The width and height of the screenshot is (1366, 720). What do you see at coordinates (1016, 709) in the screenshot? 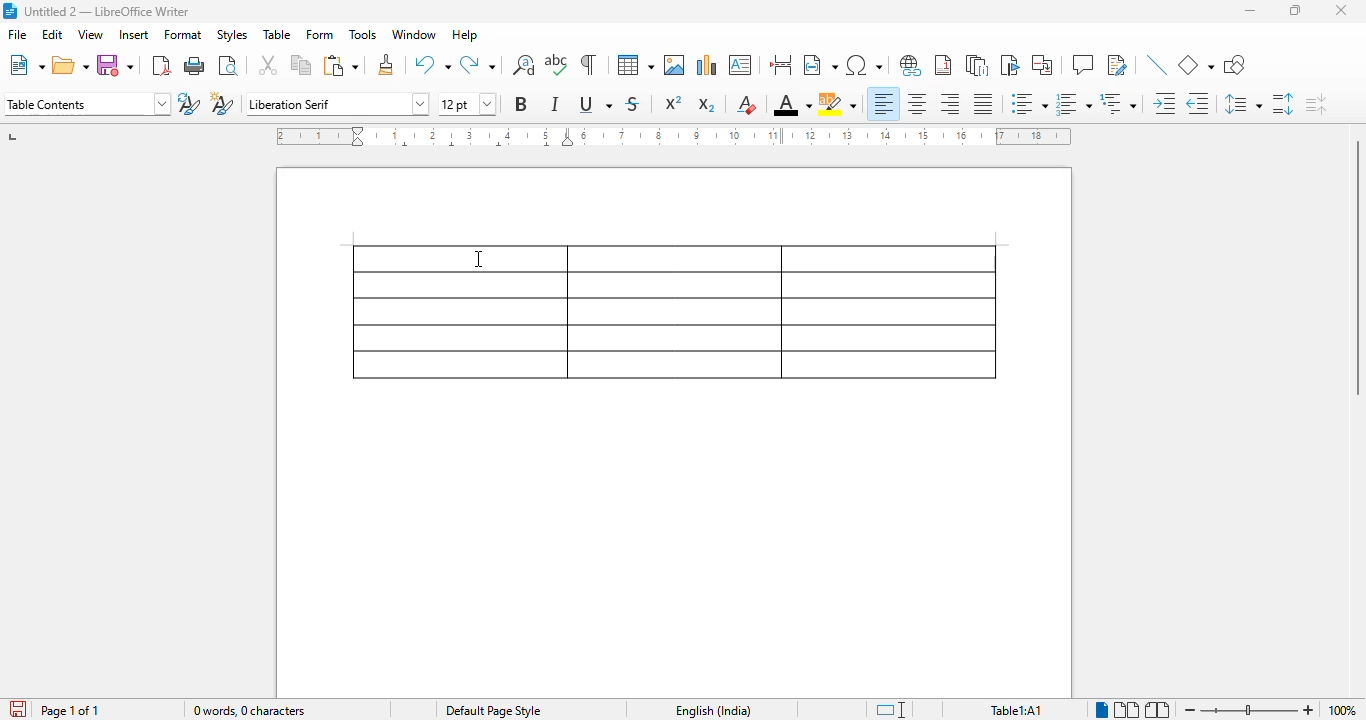
I see `table1:A1` at bounding box center [1016, 709].